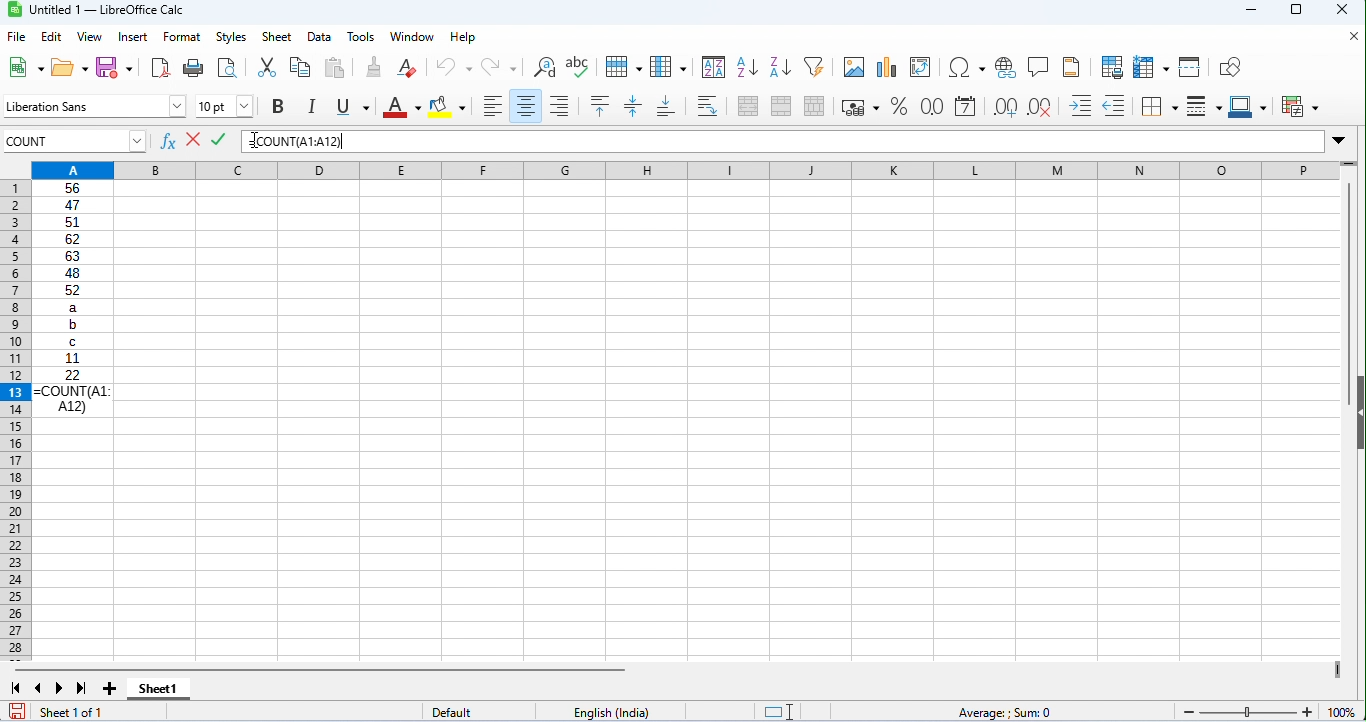  Describe the element at coordinates (1342, 712) in the screenshot. I see `100%` at that location.